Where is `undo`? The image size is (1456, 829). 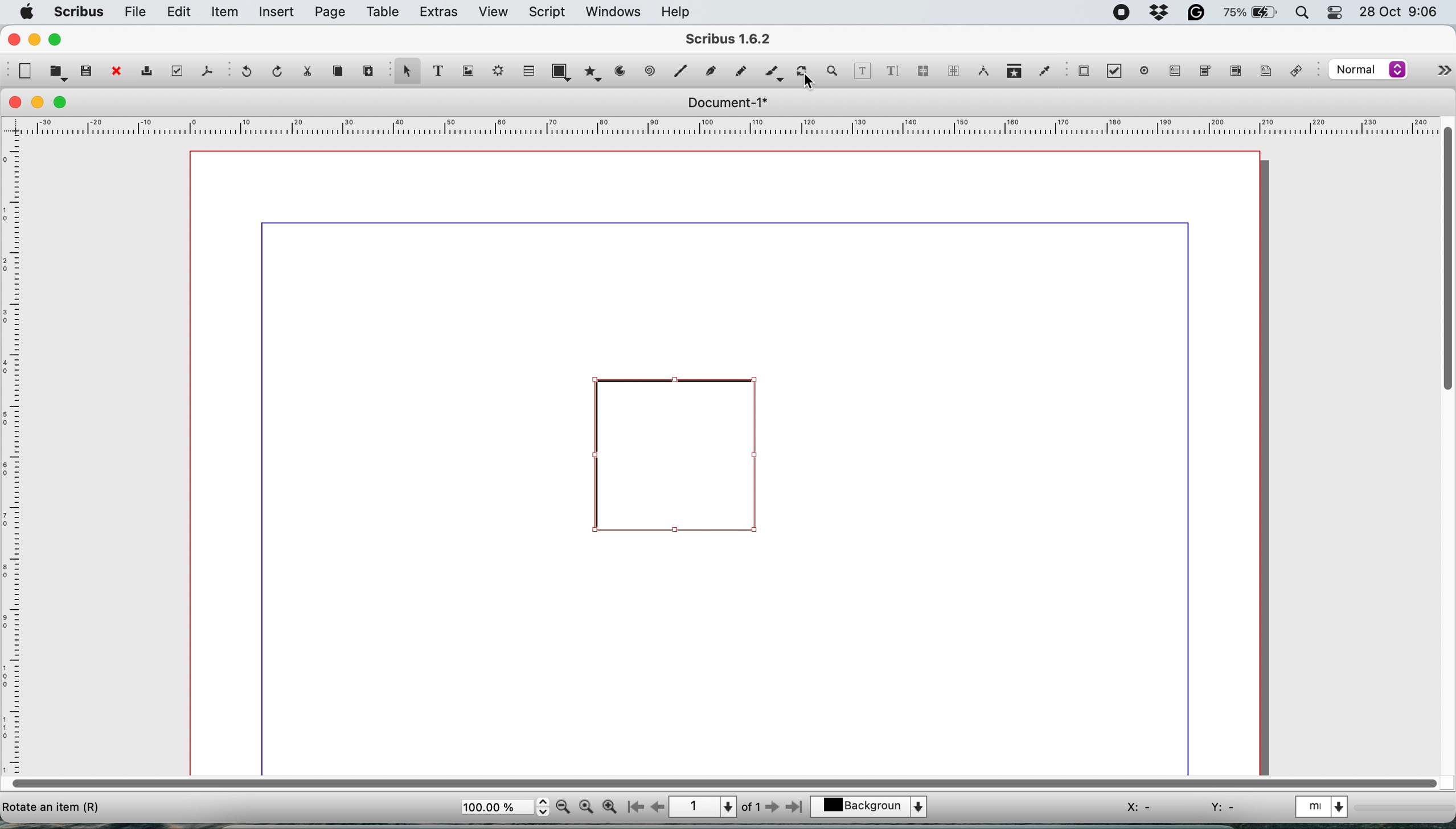
undo is located at coordinates (249, 73).